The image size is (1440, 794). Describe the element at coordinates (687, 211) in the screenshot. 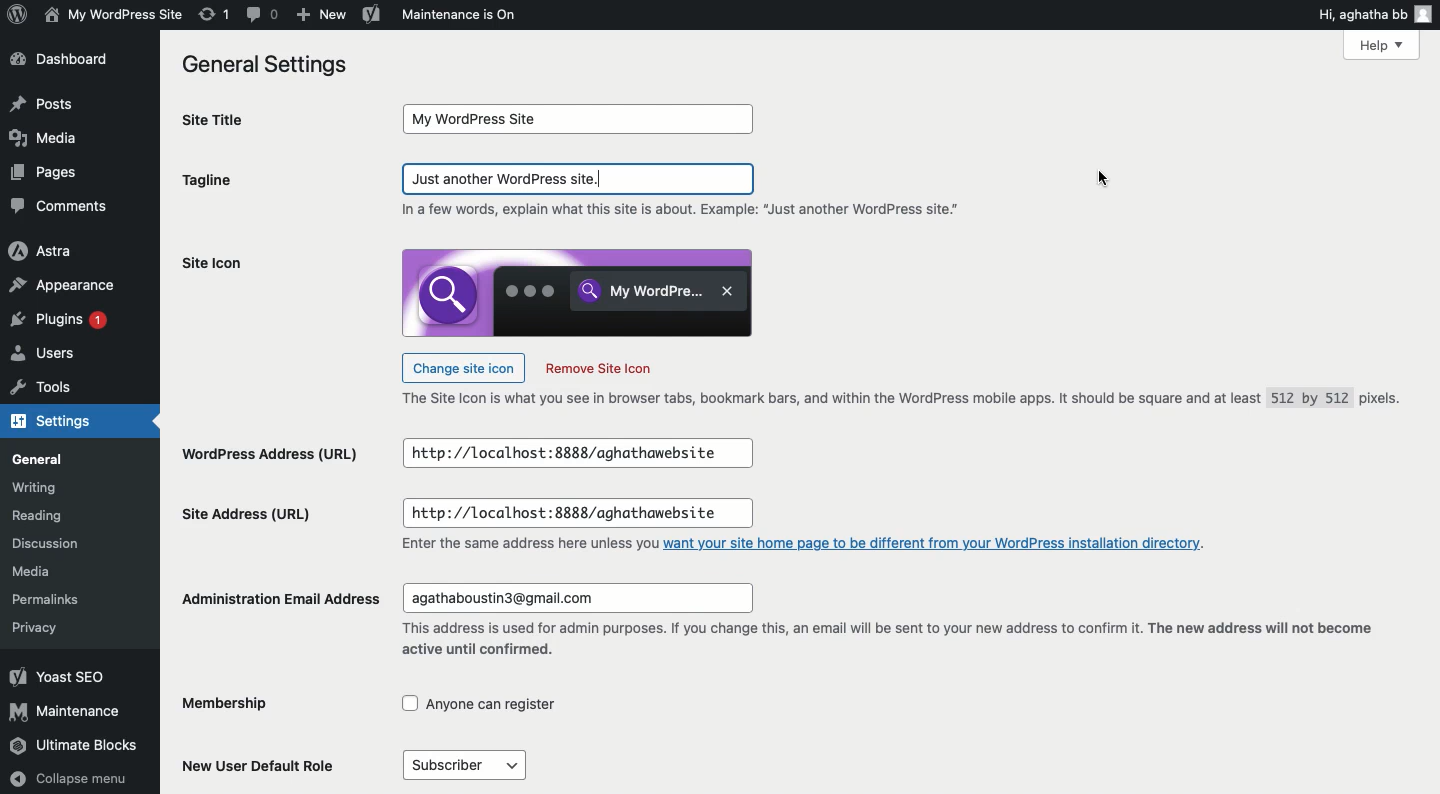

I see `text` at that location.